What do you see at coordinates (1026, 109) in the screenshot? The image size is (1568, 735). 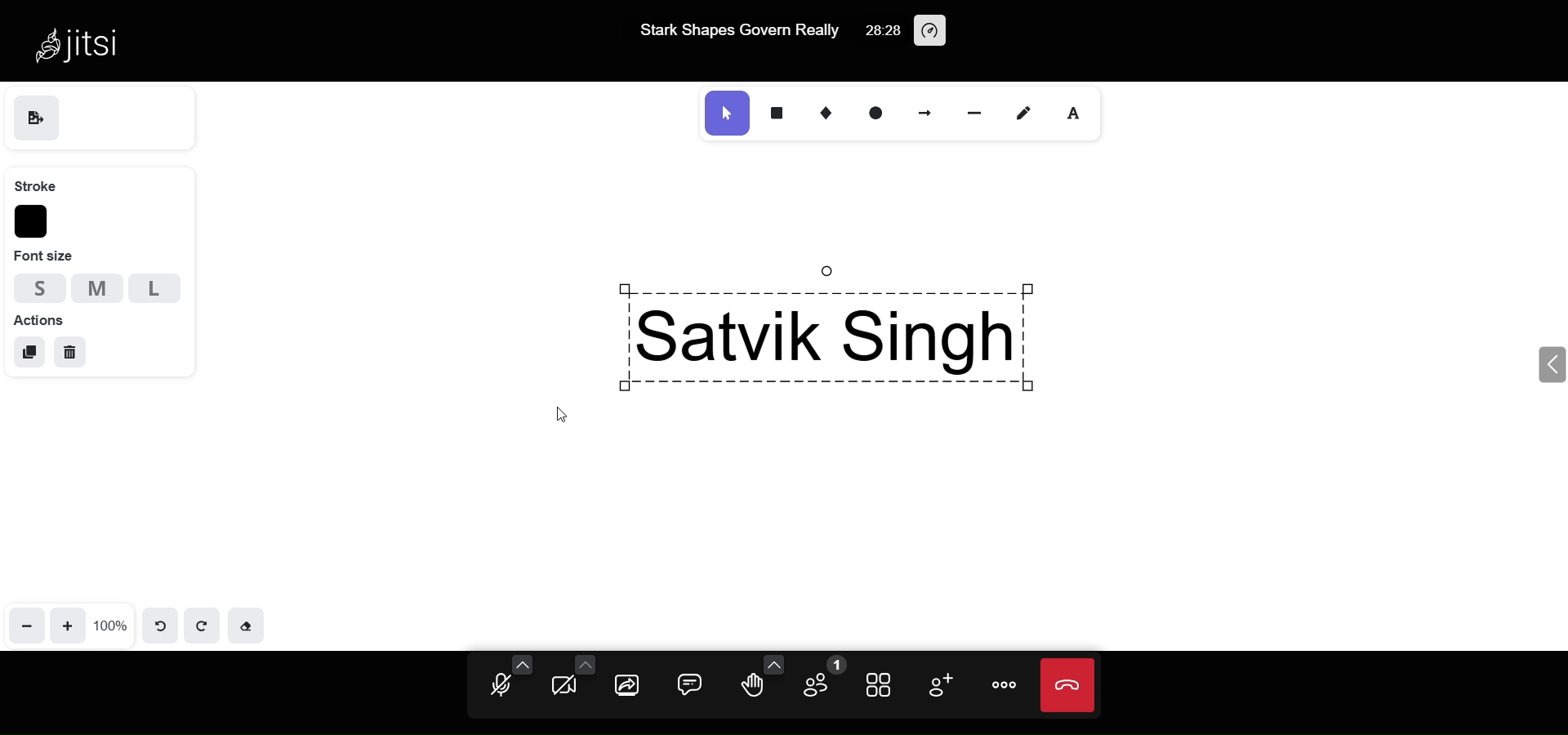 I see `draw` at bounding box center [1026, 109].